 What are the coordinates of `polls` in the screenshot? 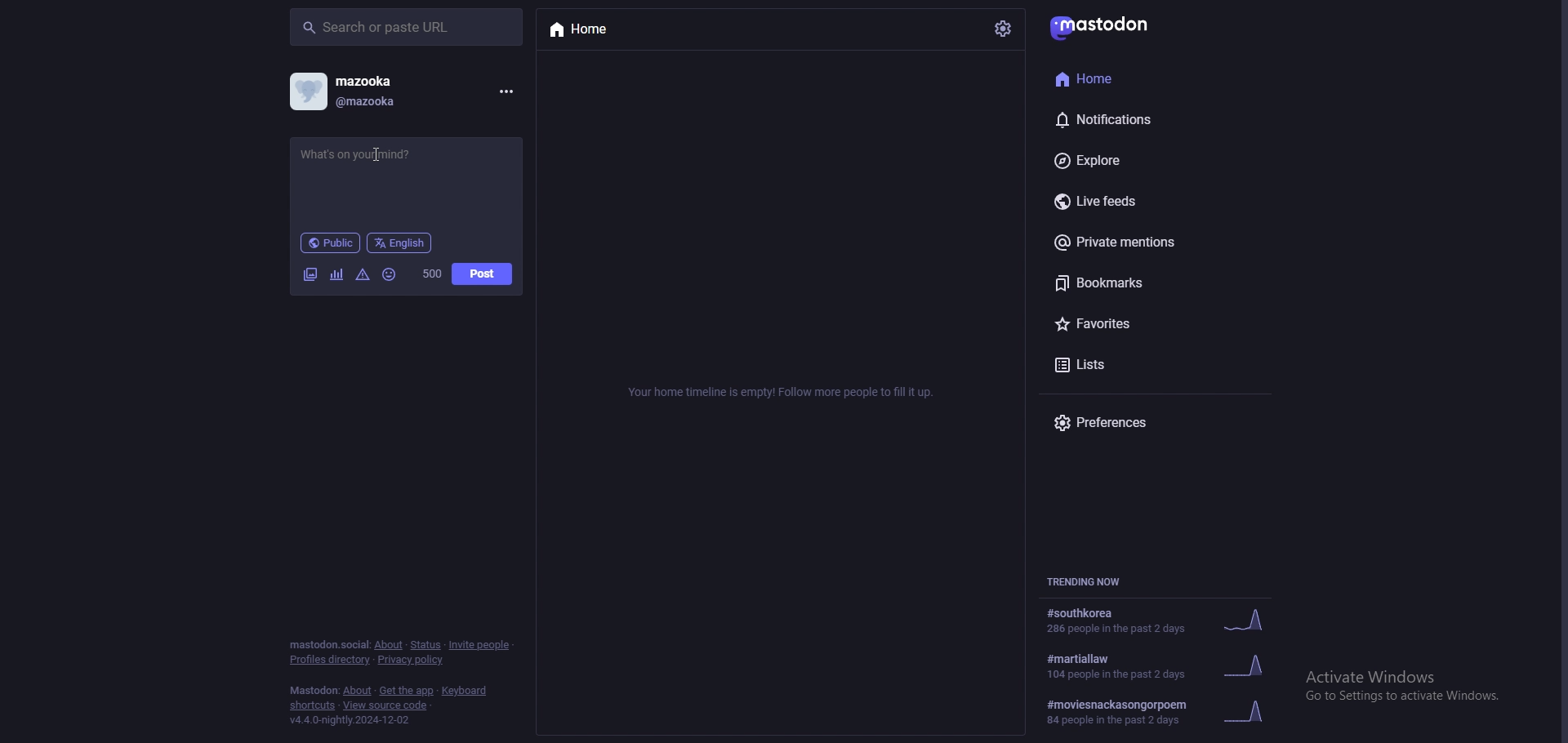 It's located at (337, 275).